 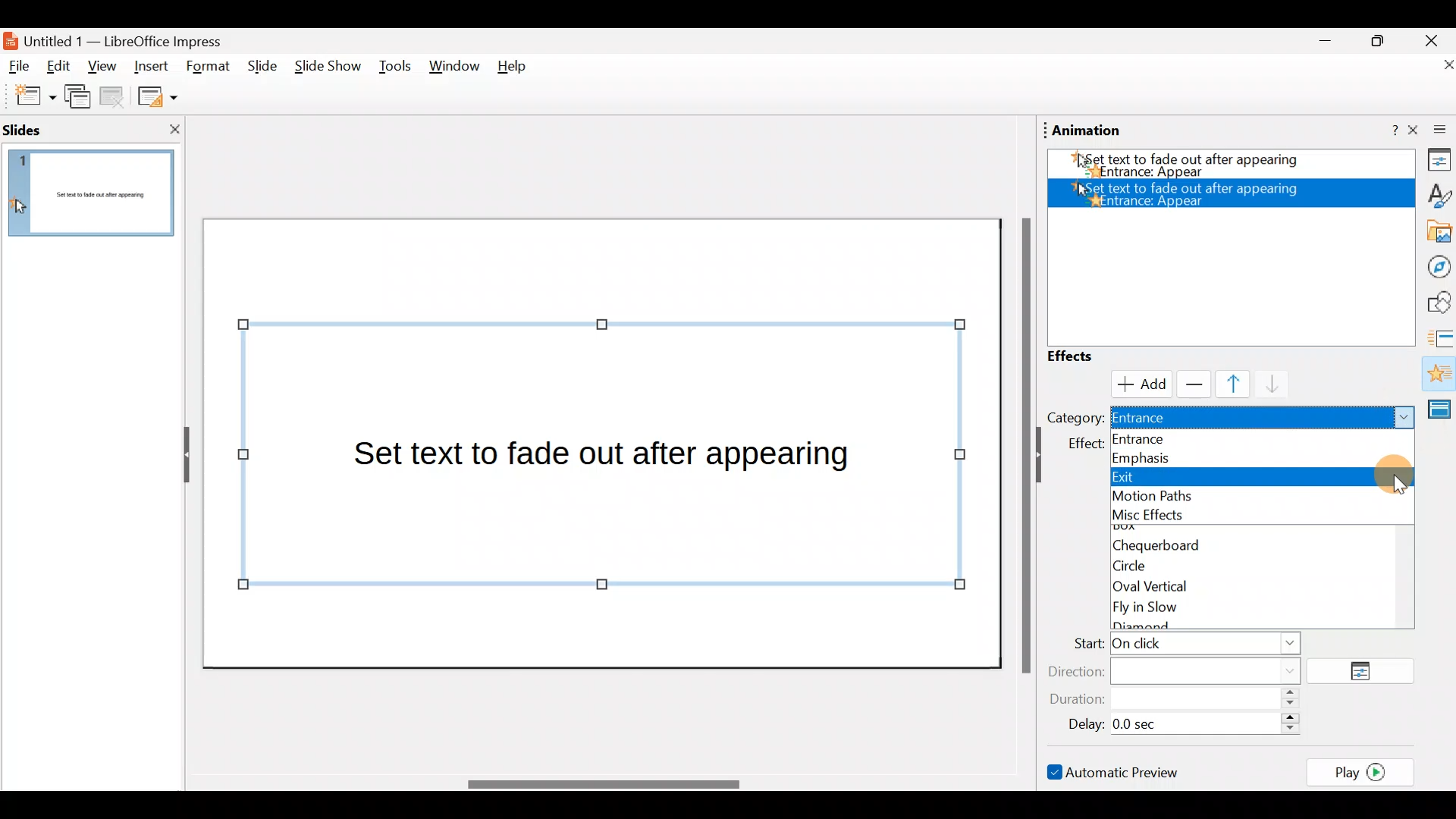 I want to click on Duration, so click(x=1179, y=700).